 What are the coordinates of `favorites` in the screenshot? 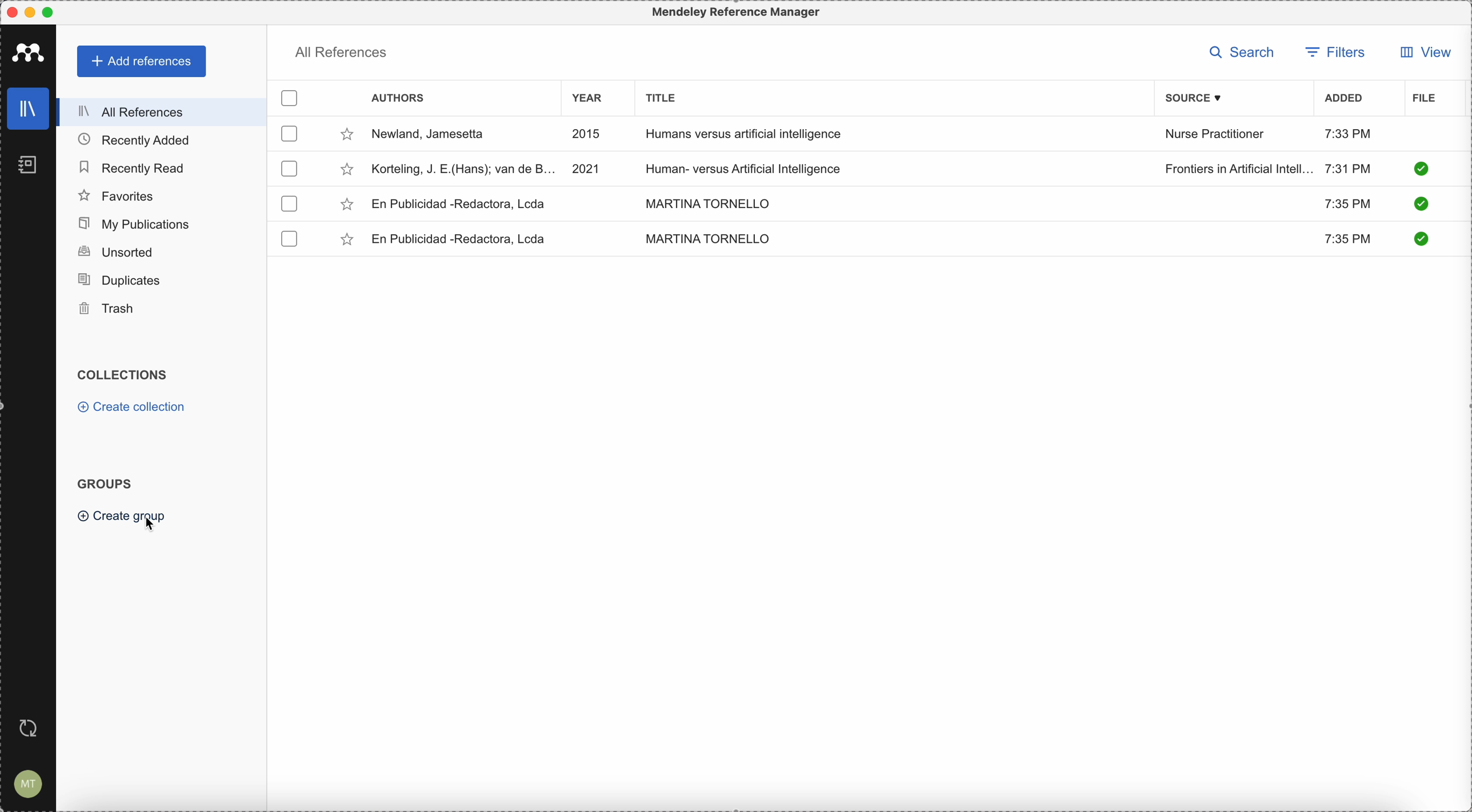 It's located at (117, 196).